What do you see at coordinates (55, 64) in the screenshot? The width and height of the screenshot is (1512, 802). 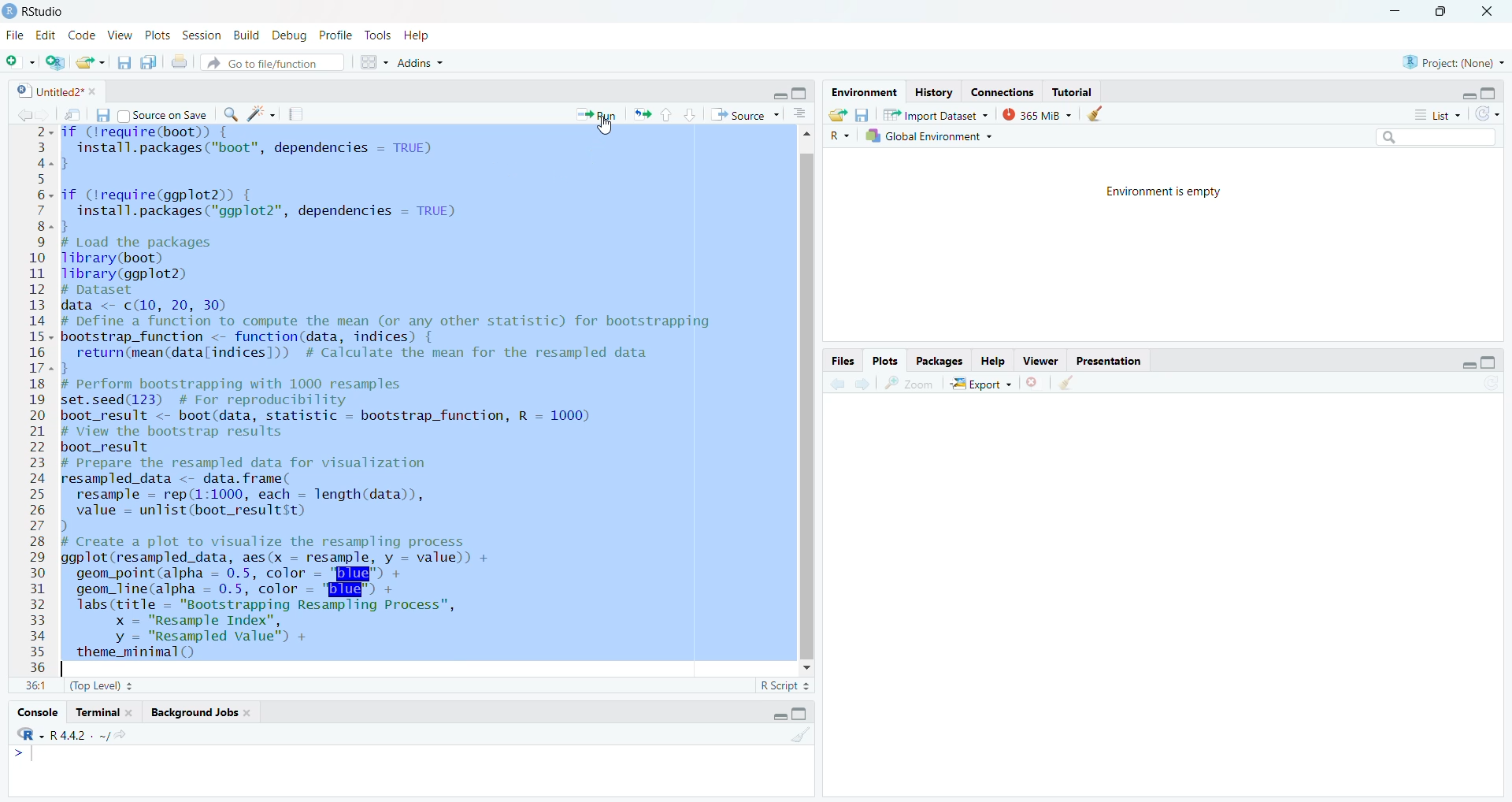 I see `create new project` at bounding box center [55, 64].